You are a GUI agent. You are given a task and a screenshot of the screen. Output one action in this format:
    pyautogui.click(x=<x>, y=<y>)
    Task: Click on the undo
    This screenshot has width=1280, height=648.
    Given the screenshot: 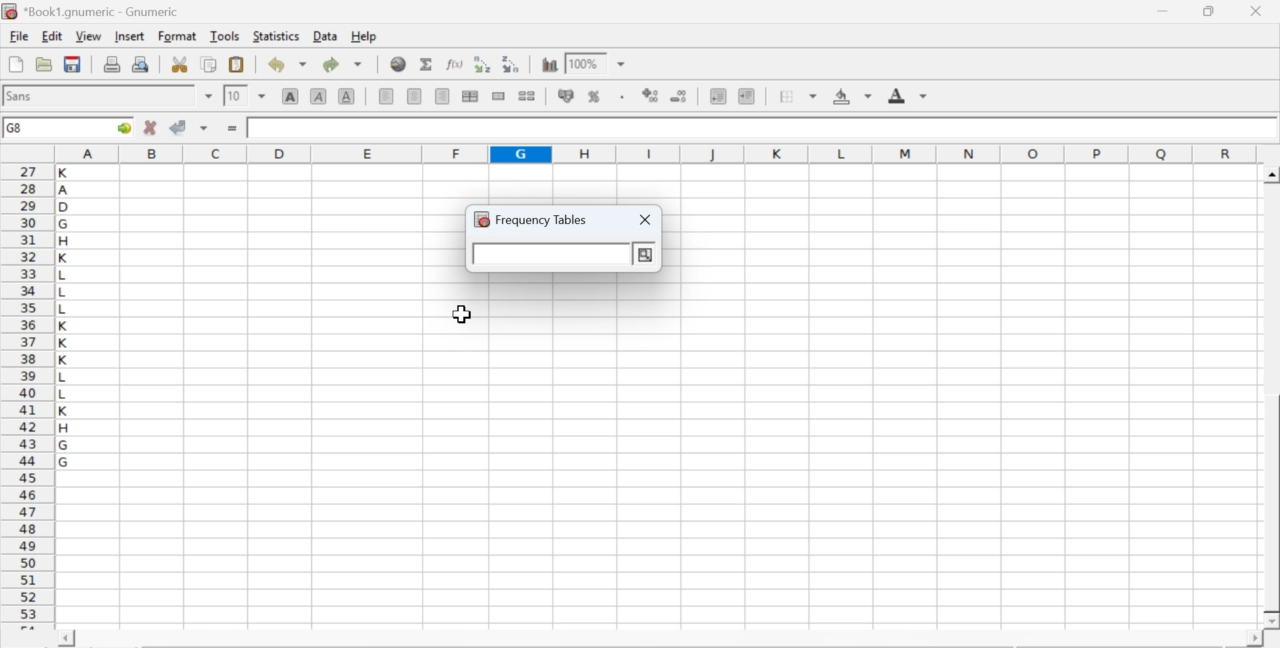 What is the action you would take?
    pyautogui.click(x=286, y=65)
    